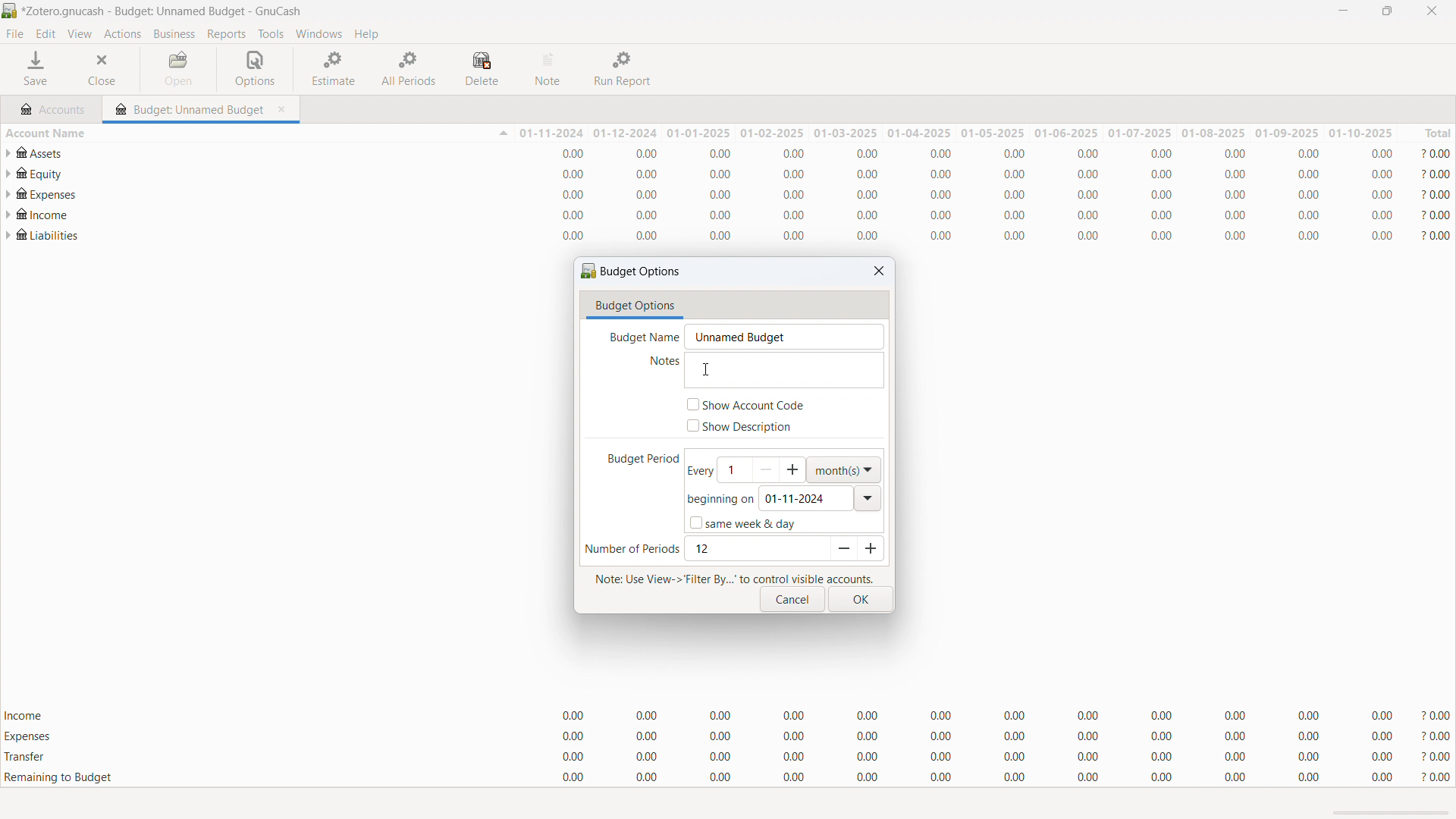 The image size is (1456, 819). Describe the element at coordinates (755, 549) in the screenshot. I see `set number of periods` at that location.